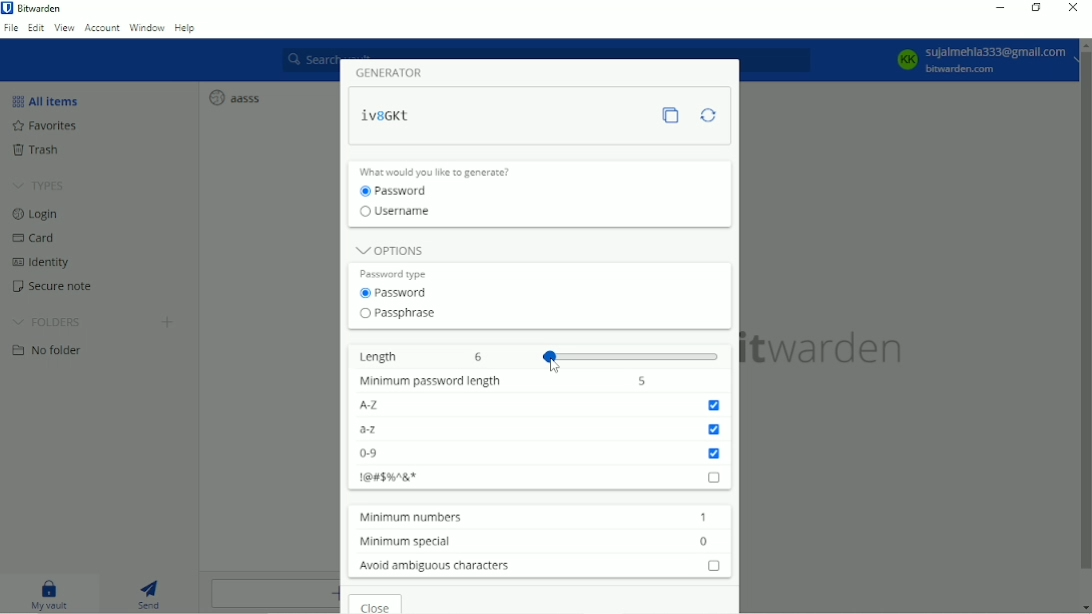 The image size is (1092, 614). What do you see at coordinates (37, 150) in the screenshot?
I see `Trash` at bounding box center [37, 150].